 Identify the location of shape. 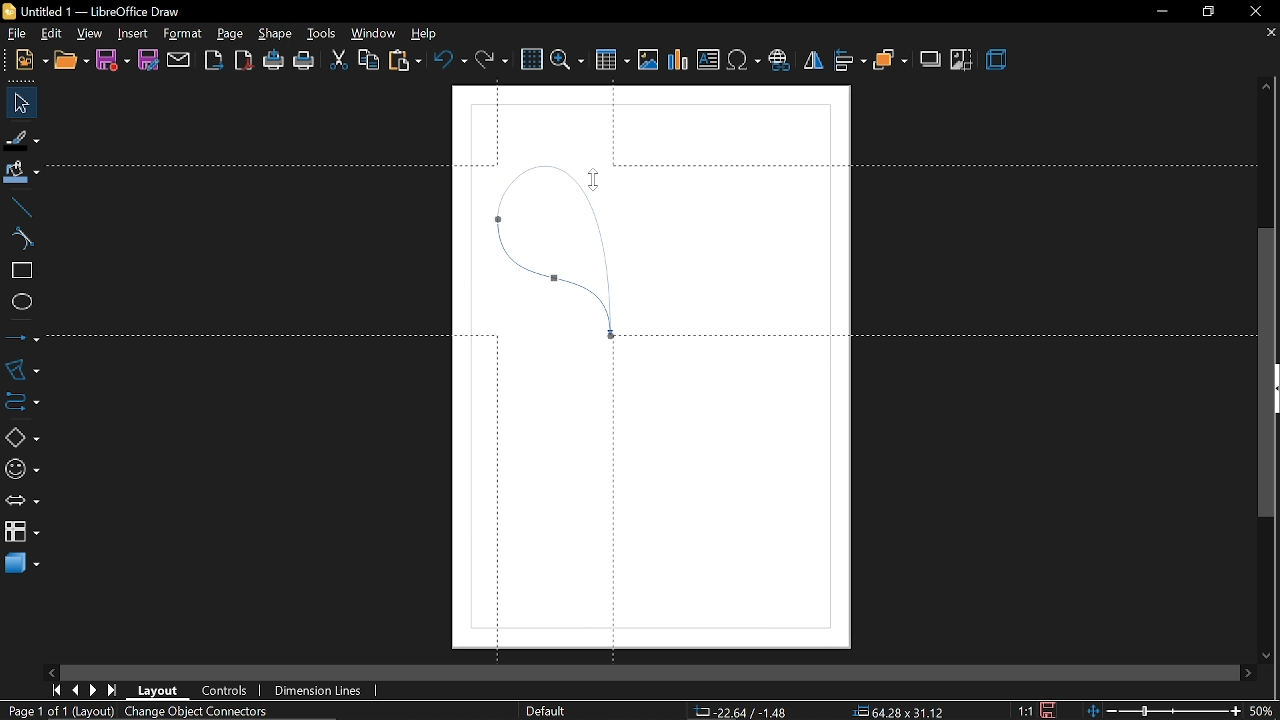
(272, 33).